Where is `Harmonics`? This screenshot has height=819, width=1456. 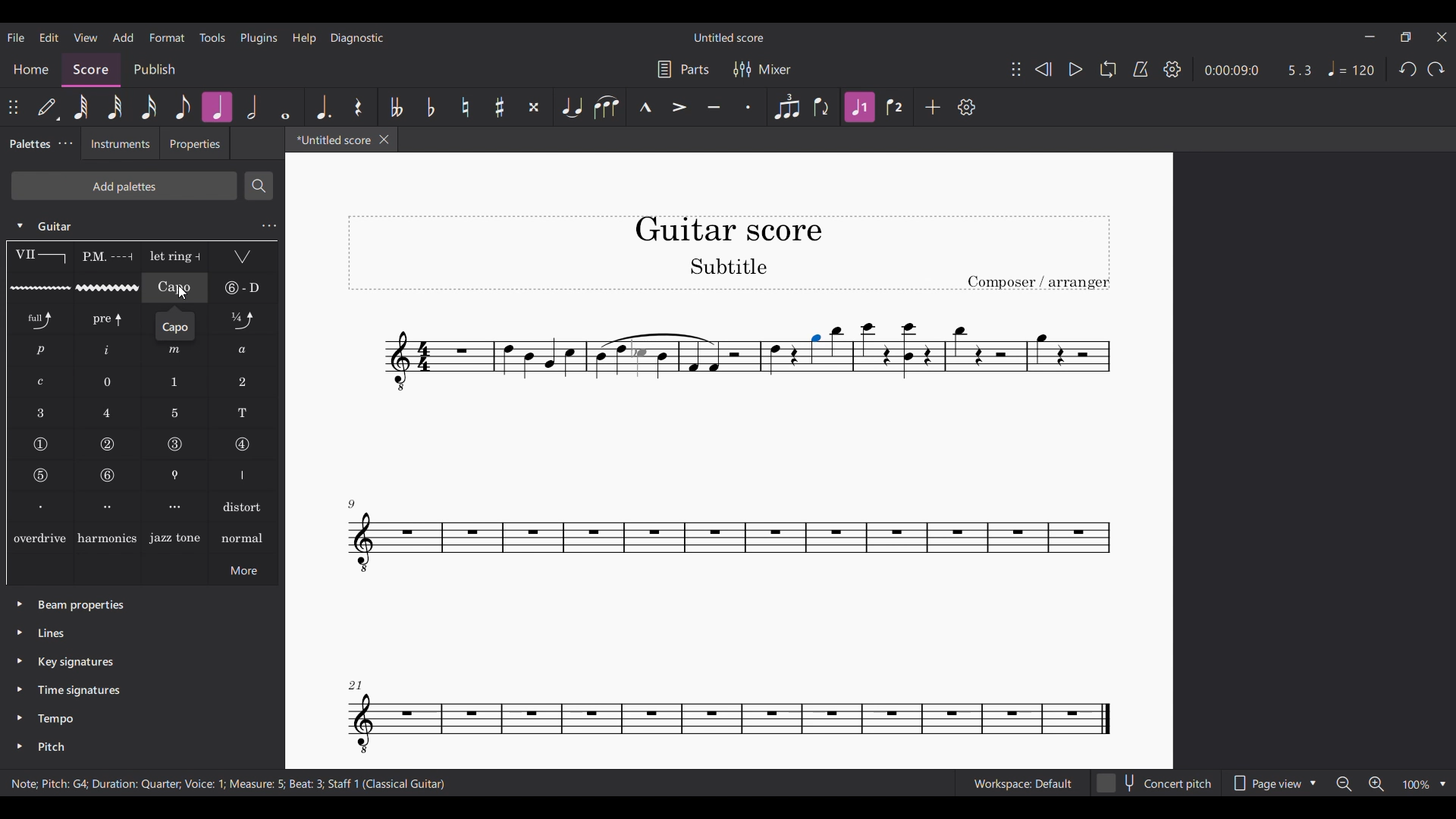
Harmonics is located at coordinates (107, 537).